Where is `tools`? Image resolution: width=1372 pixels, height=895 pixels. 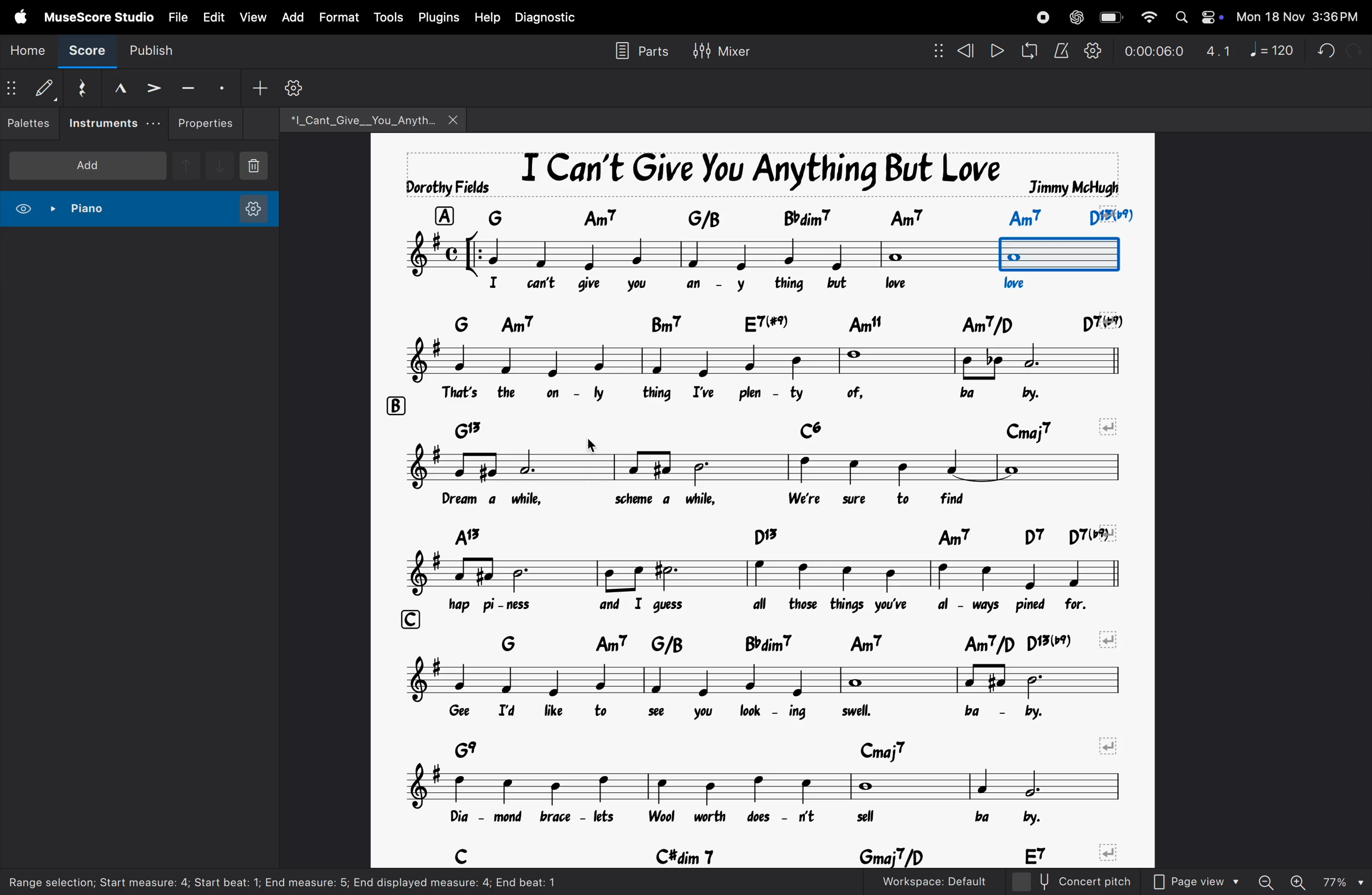
tools is located at coordinates (386, 18).